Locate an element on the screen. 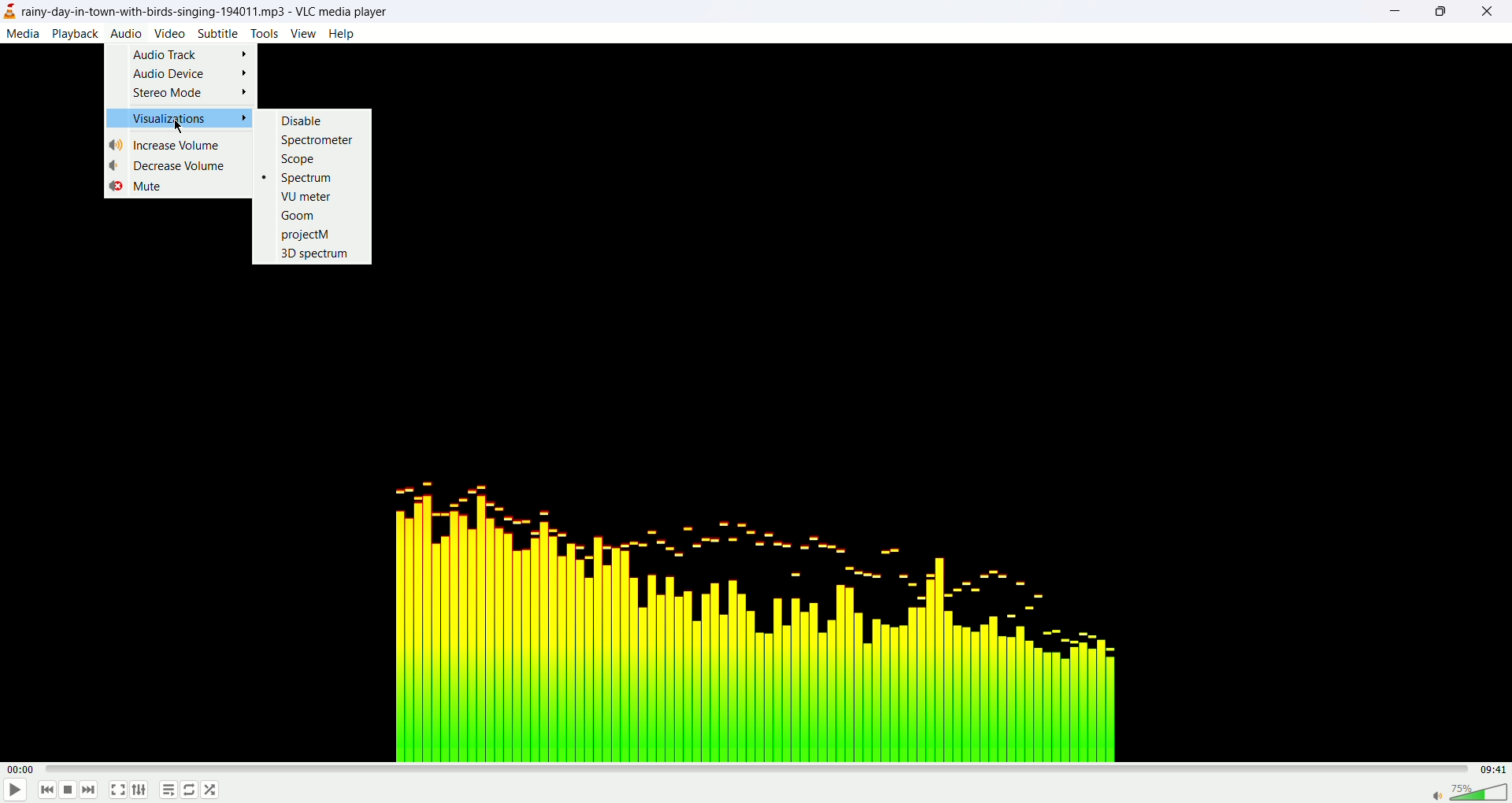 The height and width of the screenshot is (803, 1512). increase volume is located at coordinates (169, 145).